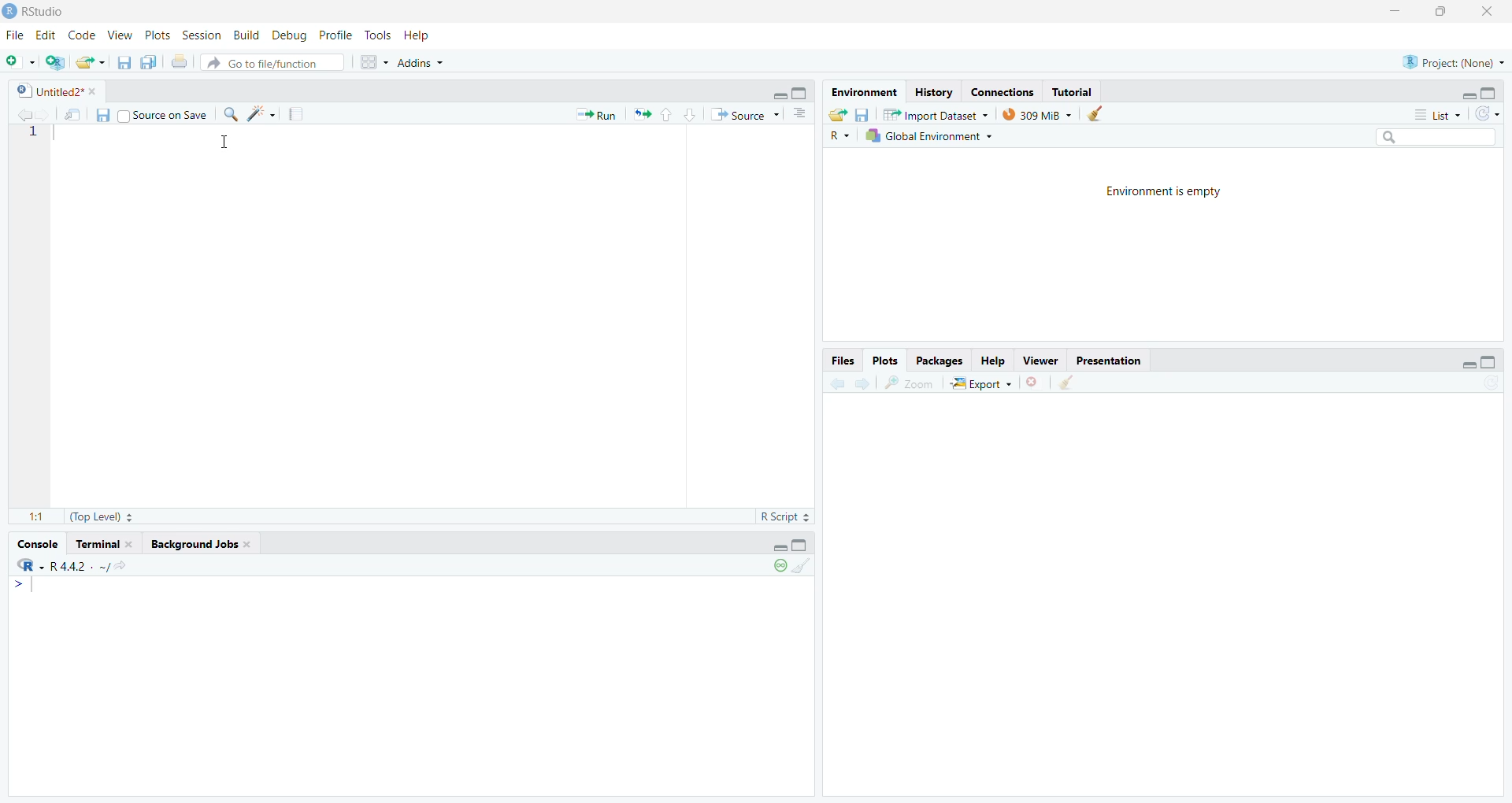 The height and width of the screenshot is (803, 1512). I want to click on minimise, so click(773, 547).